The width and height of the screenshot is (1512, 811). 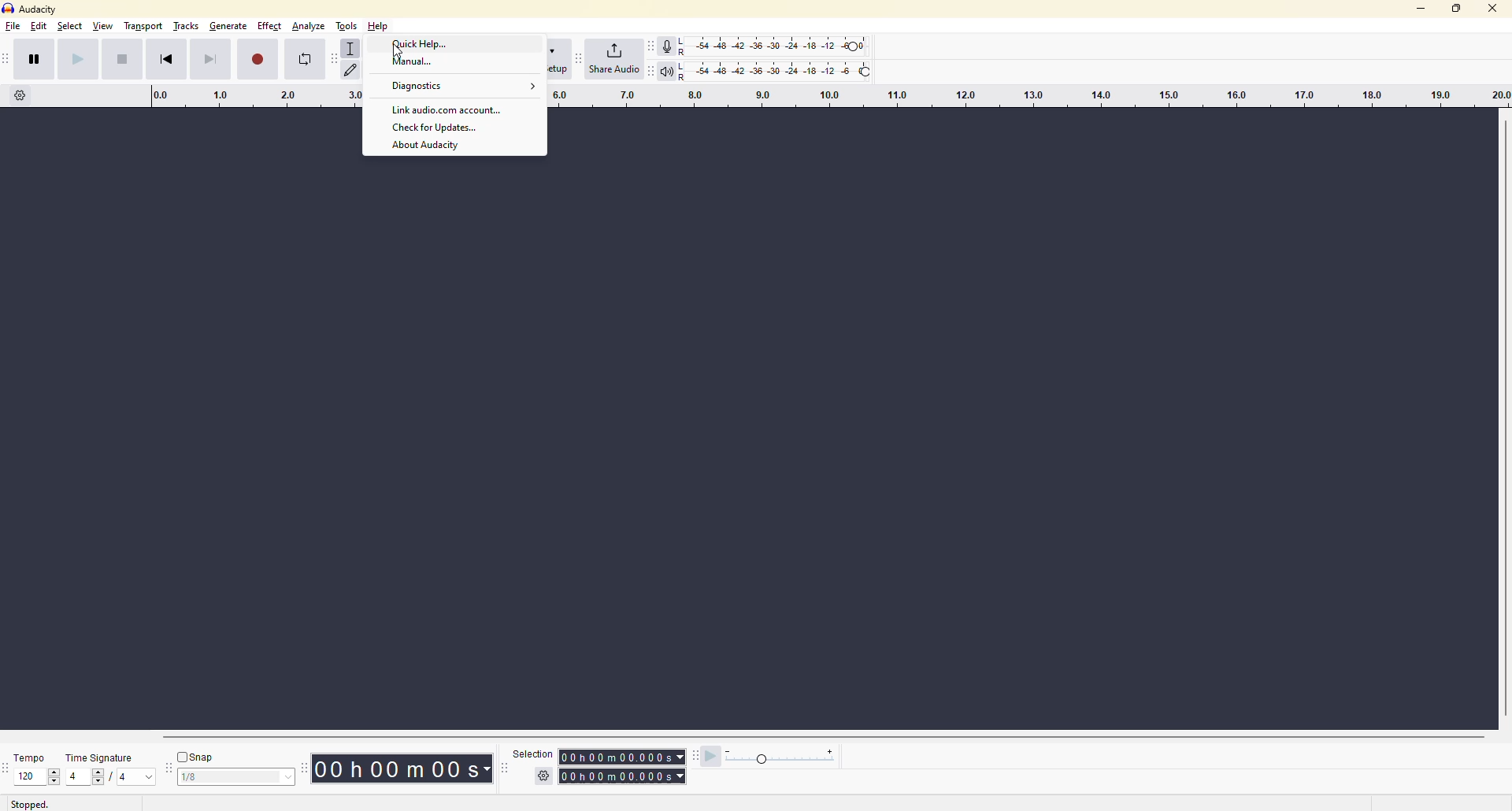 What do you see at coordinates (1024, 100) in the screenshot?
I see `click and drag to define a looping region` at bounding box center [1024, 100].